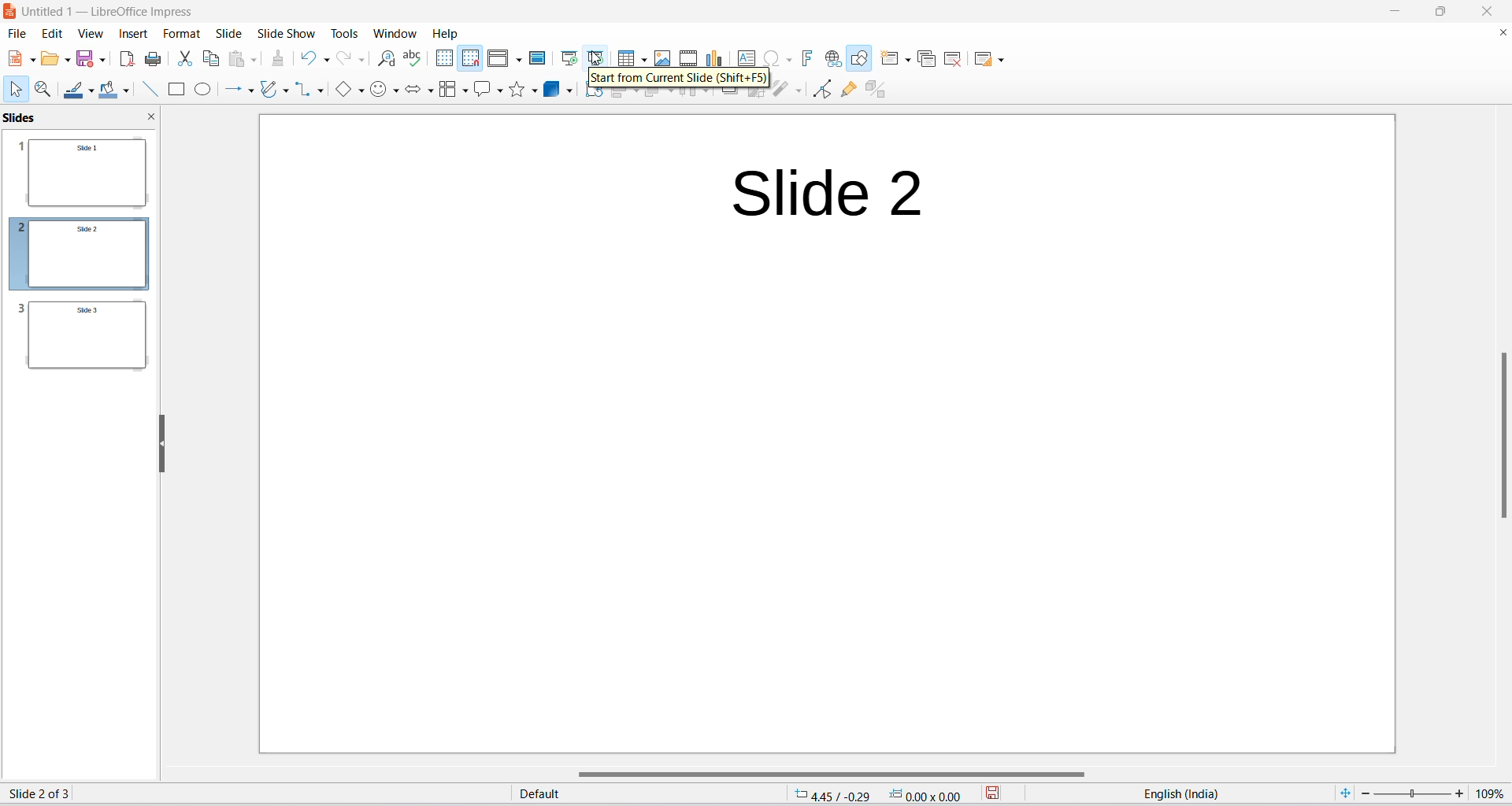  I want to click on basic shapes, so click(343, 91).